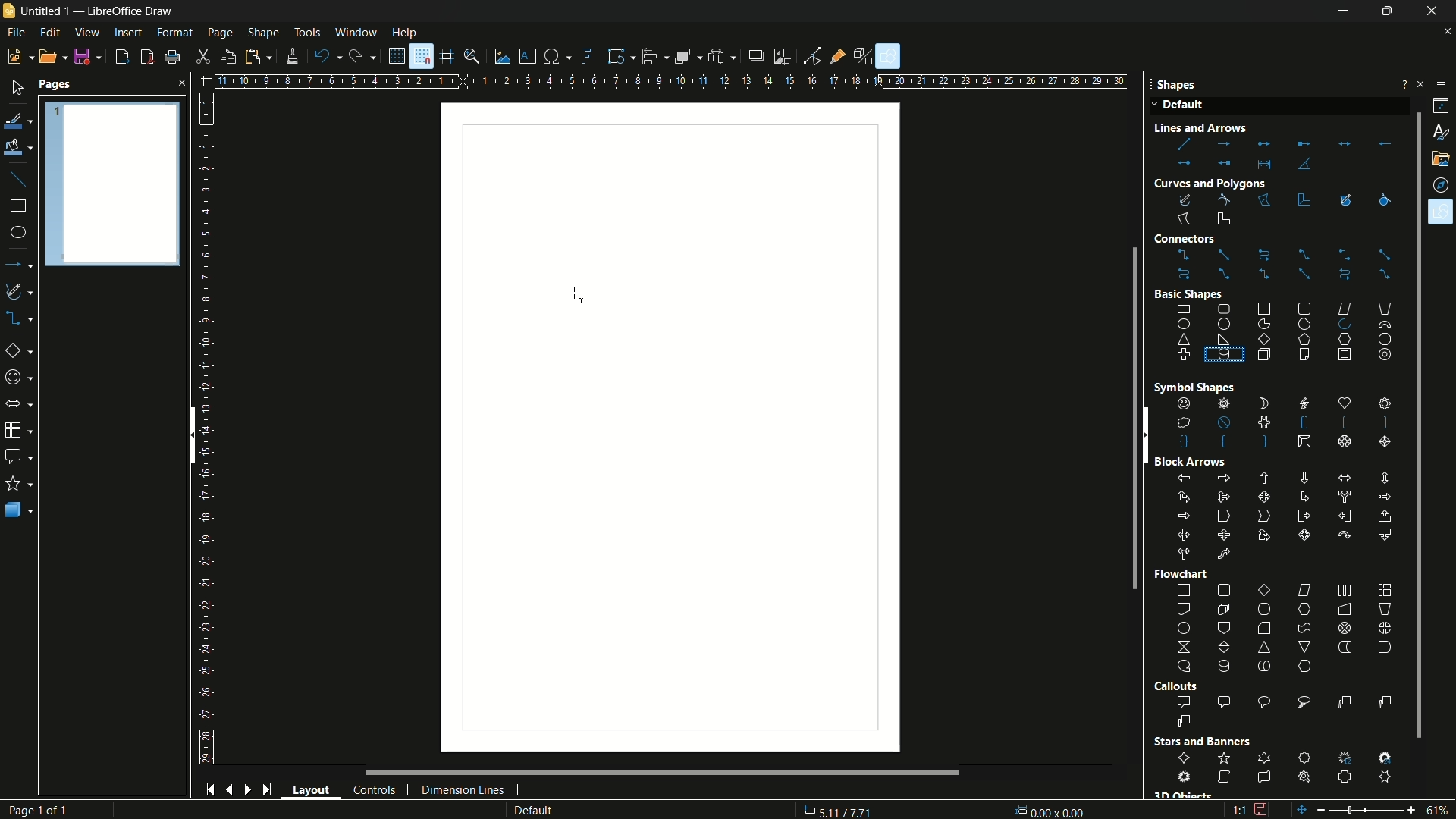  What do you see at coordinates (209, 789) in the screenshot?
I see `start page` at bounding box center [209, 789].